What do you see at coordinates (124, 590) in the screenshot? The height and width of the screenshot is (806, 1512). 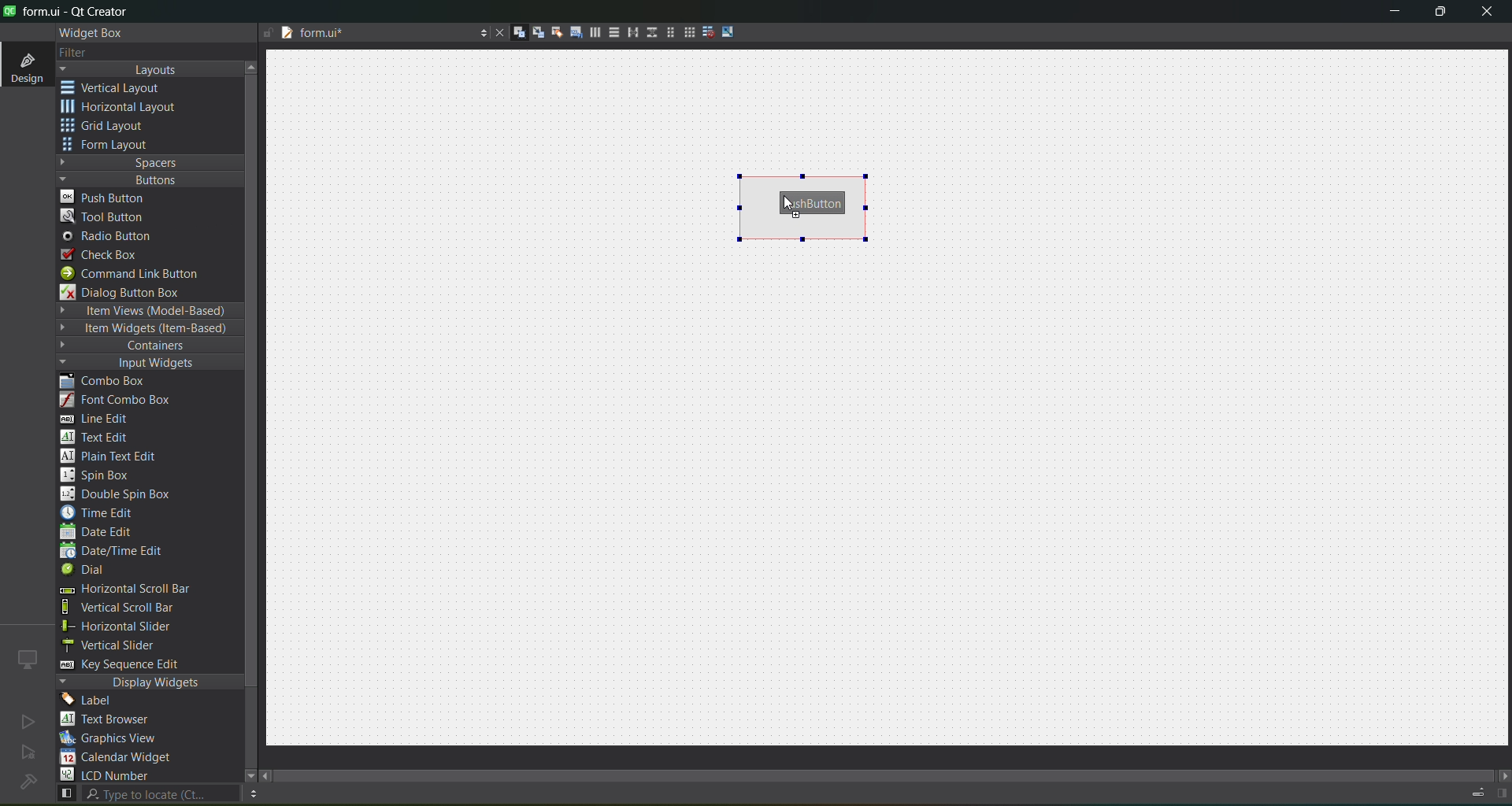 I see `horizontal scroll bar` at bounding box center [124, 590].